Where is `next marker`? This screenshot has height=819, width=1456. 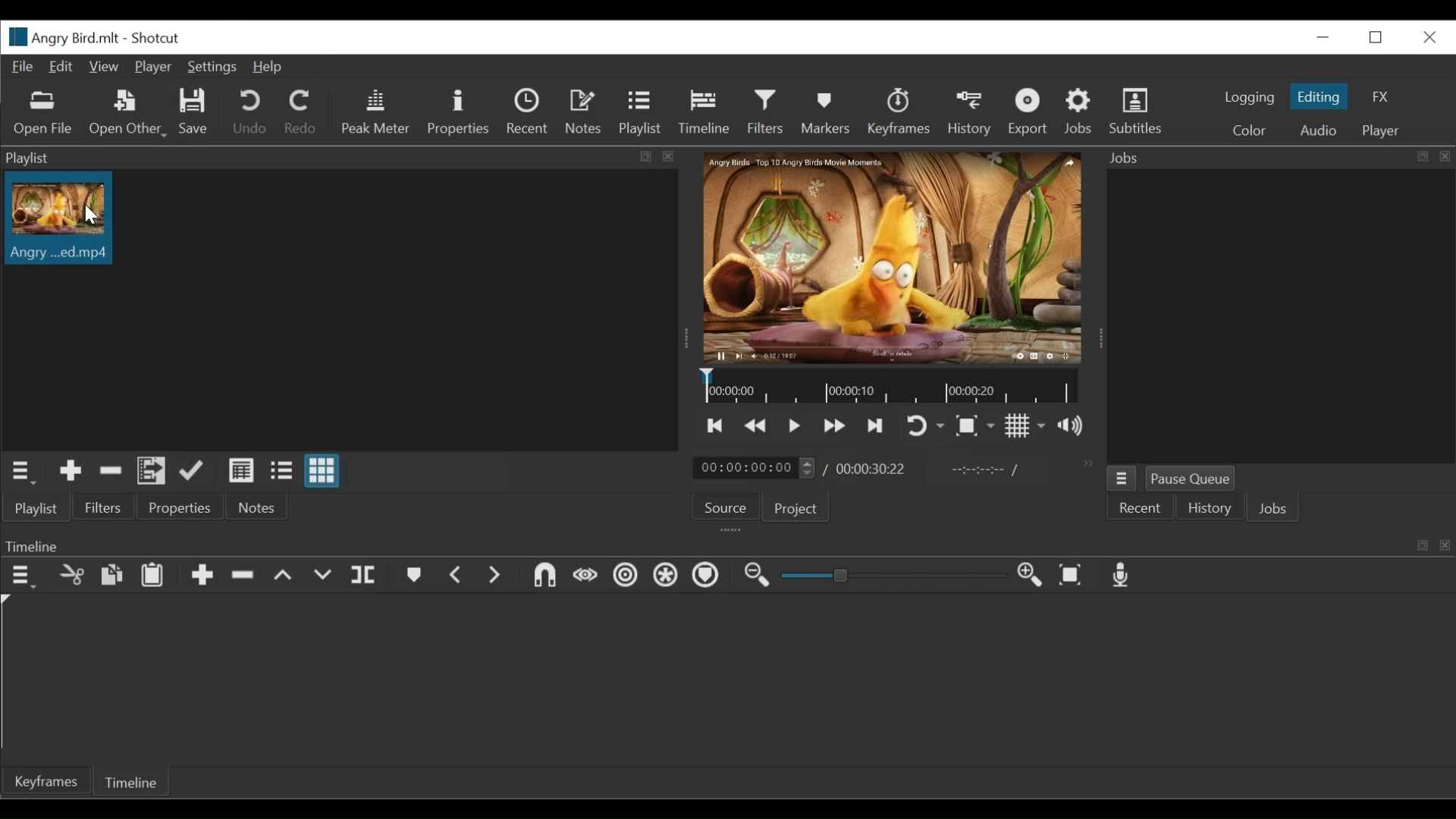
next marker is located at coordinates (494, 575).